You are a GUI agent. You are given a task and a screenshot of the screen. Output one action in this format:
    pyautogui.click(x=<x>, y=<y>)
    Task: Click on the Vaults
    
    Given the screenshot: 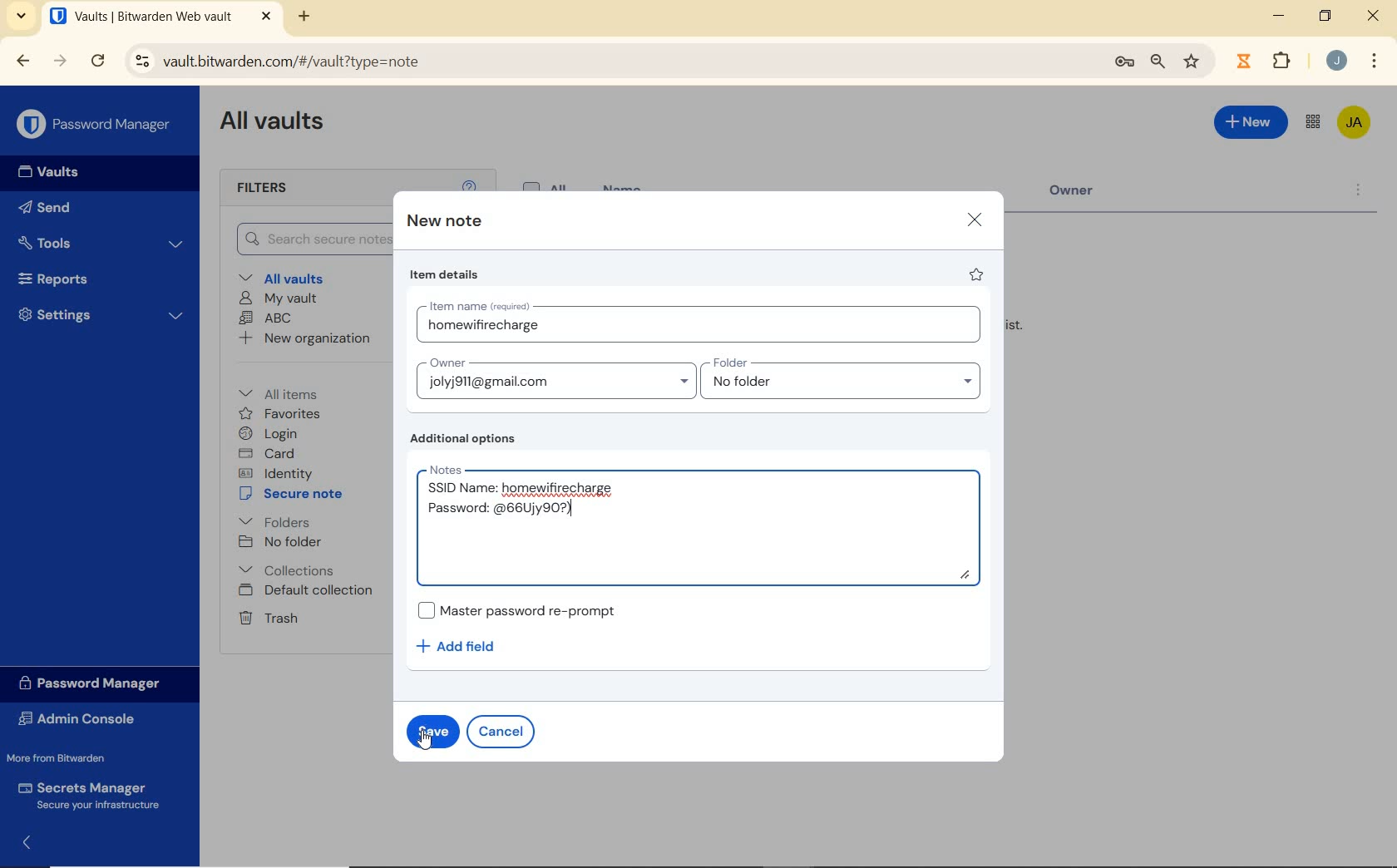 What is the action you would take?
    pyautogui.click(x=43, y=172)
    